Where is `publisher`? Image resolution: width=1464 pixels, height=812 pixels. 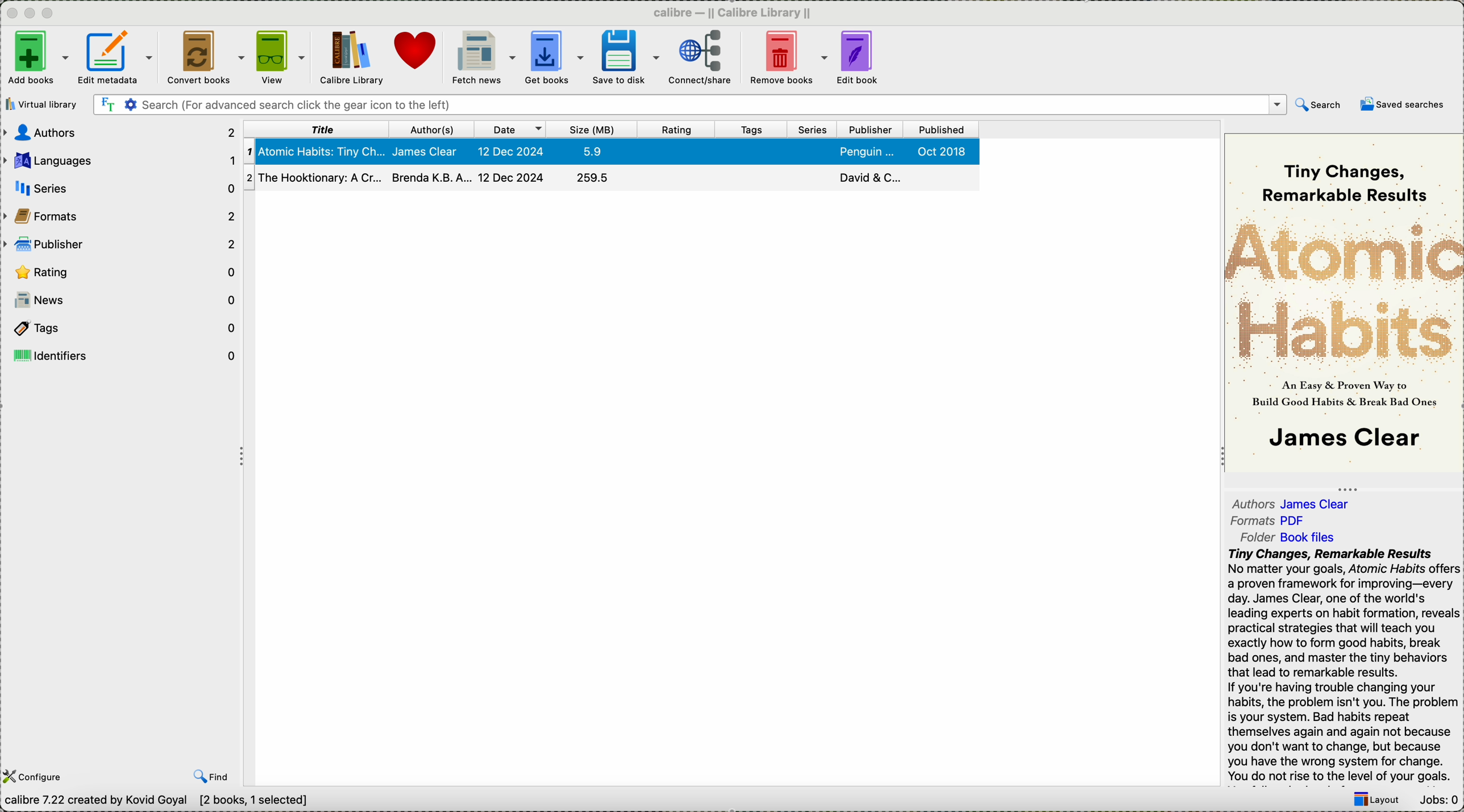 publisher is located at coordinates (870, 130).